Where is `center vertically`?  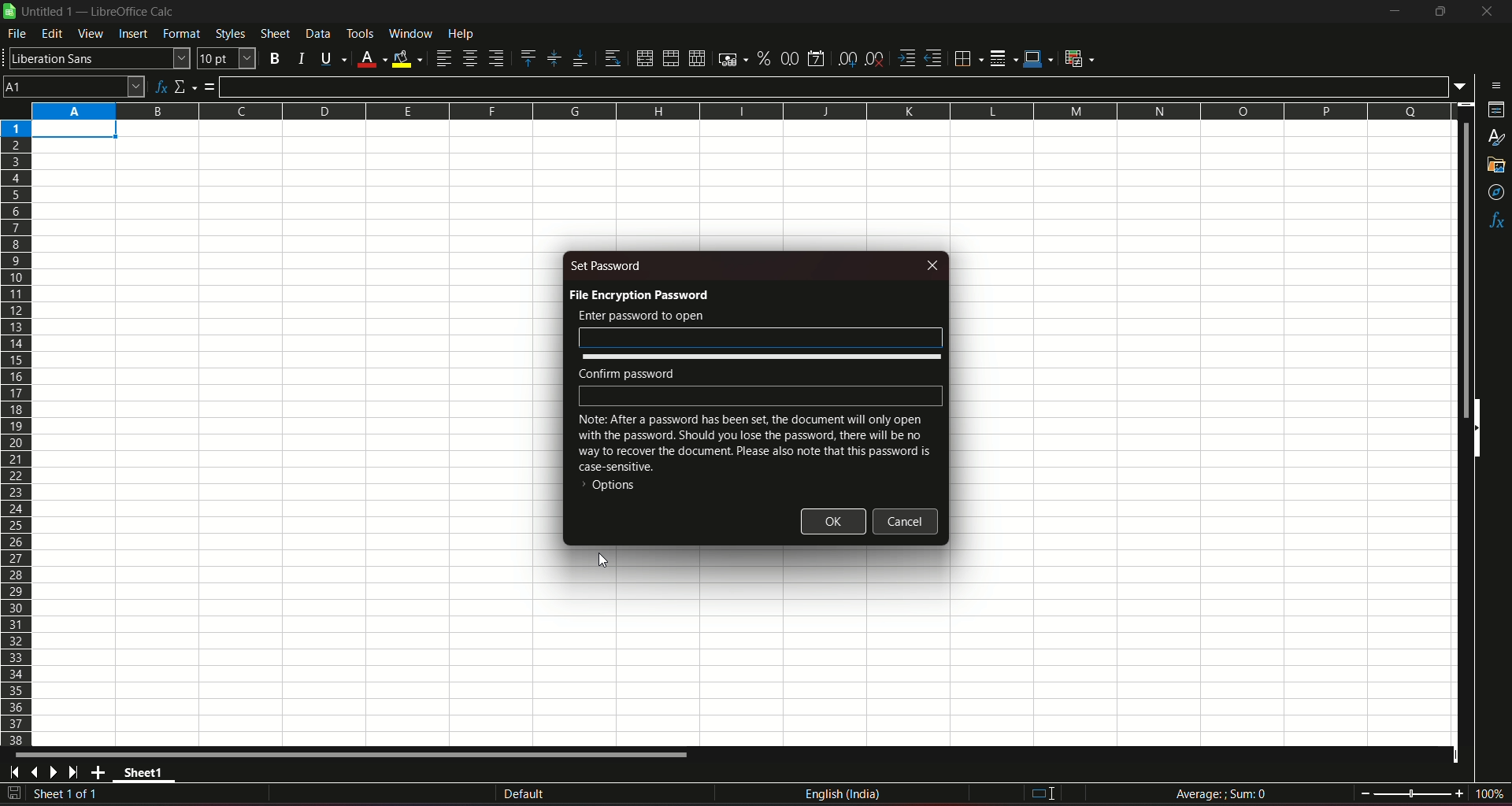
center vertically is located at coordinates (553, 58).